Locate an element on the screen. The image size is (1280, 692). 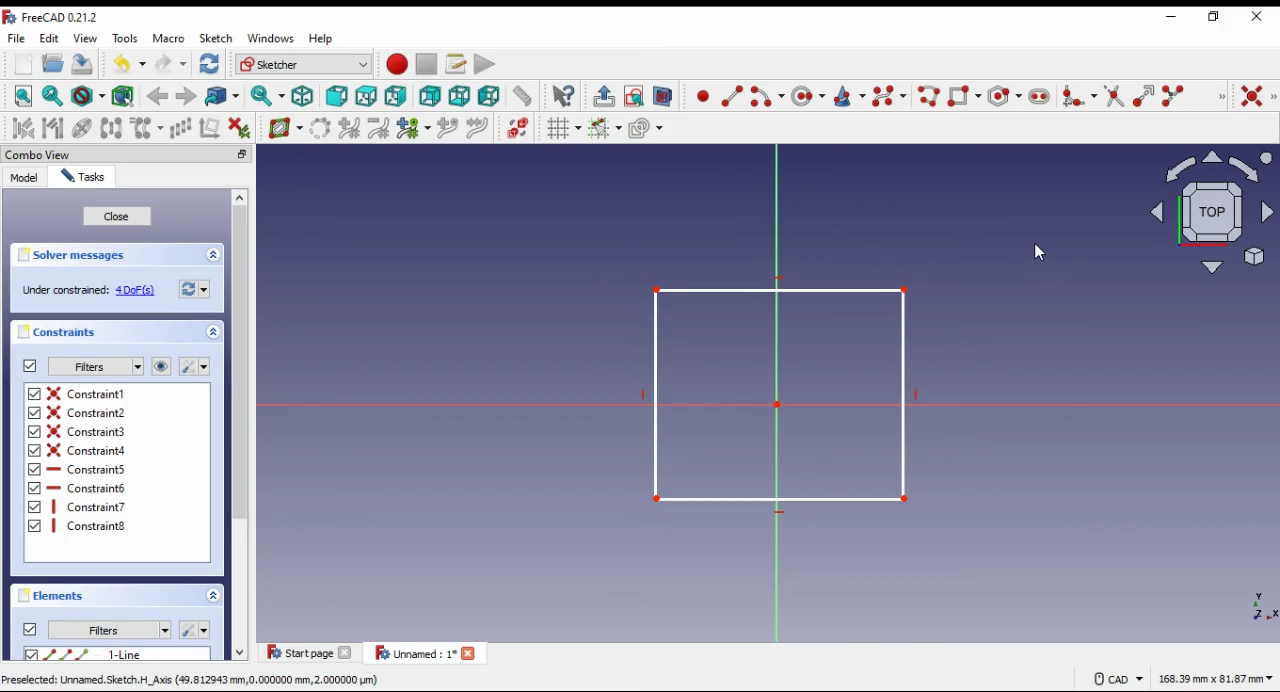
on/off elements is located at coordinates (30, 629).